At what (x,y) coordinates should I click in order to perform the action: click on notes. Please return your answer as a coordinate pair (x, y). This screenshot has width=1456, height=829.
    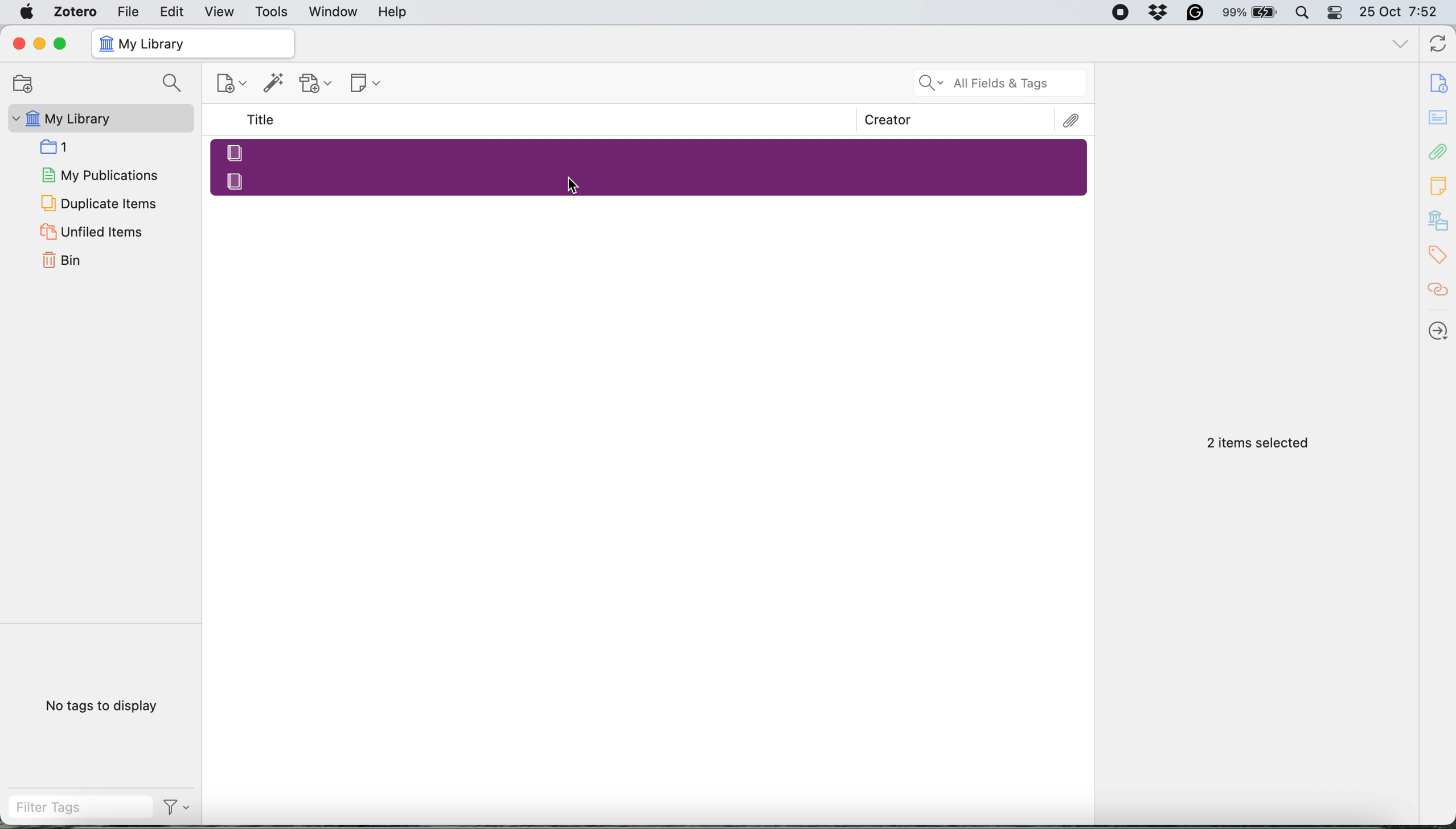
    Looking at the image, I should click on (1439, 118).